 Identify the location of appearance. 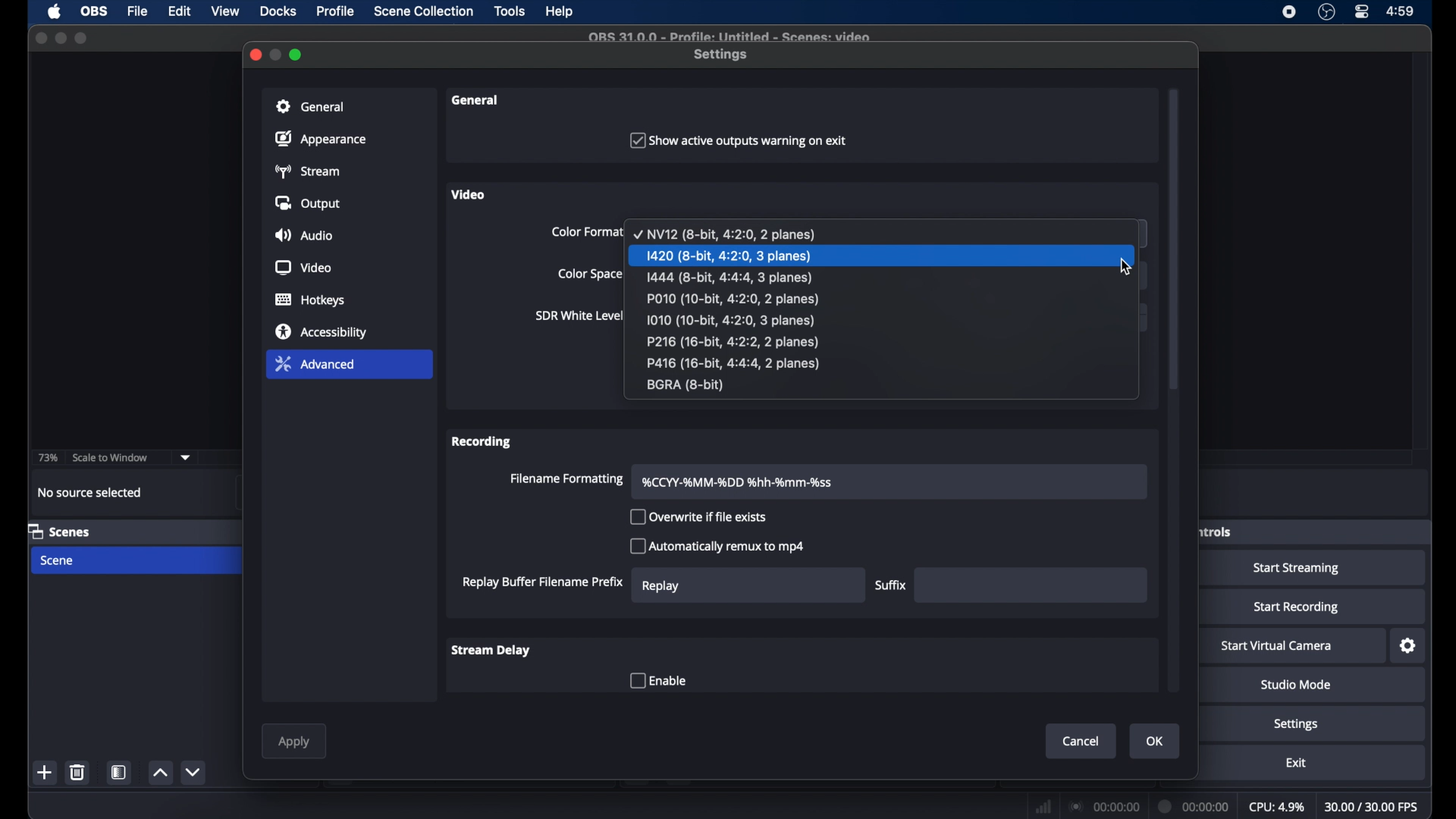
(322, 139).